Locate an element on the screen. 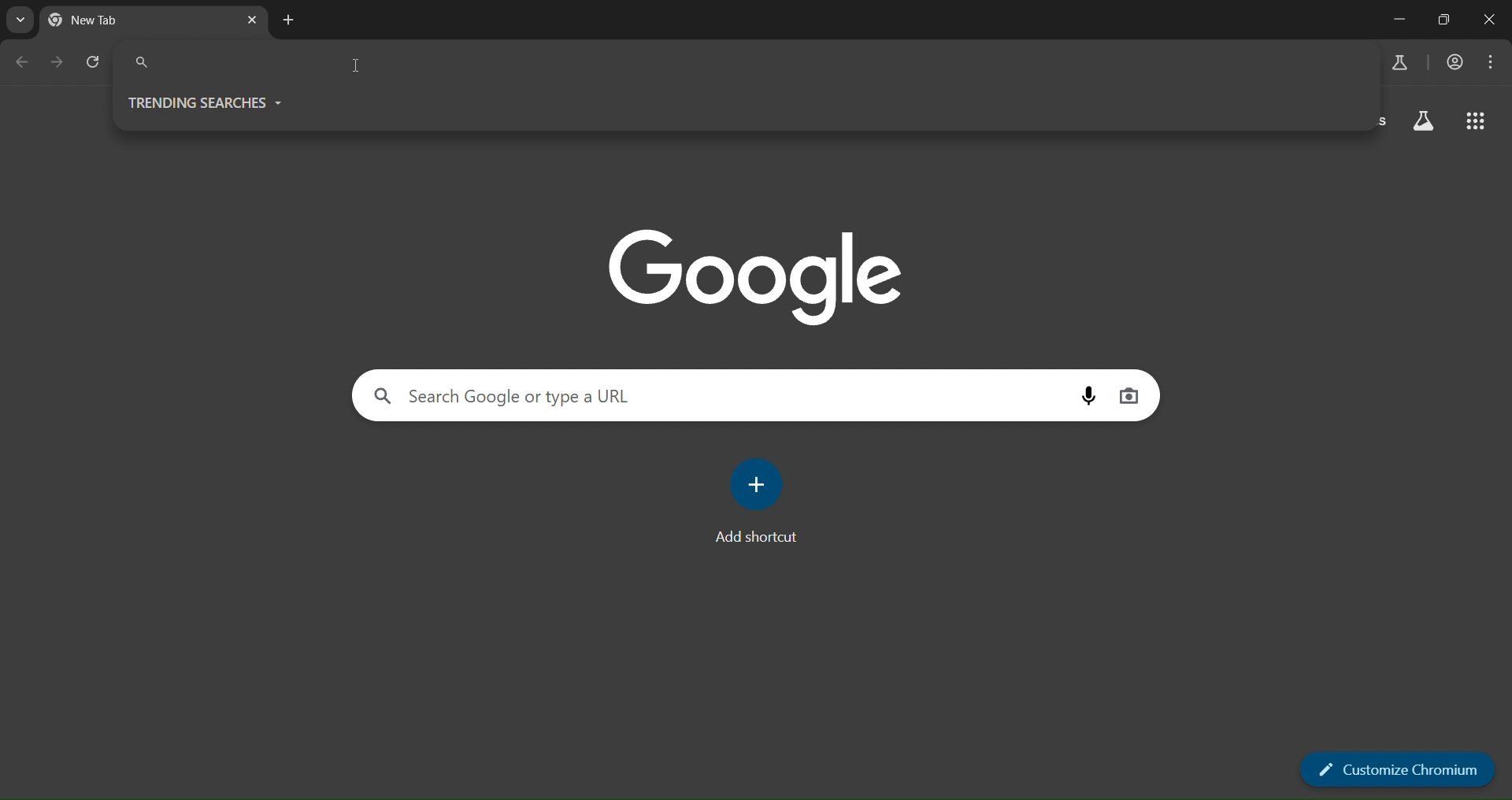 Image resolution: width=1512 pixels, height=800 pixels. search labs is located at coordinates (1424, 120).